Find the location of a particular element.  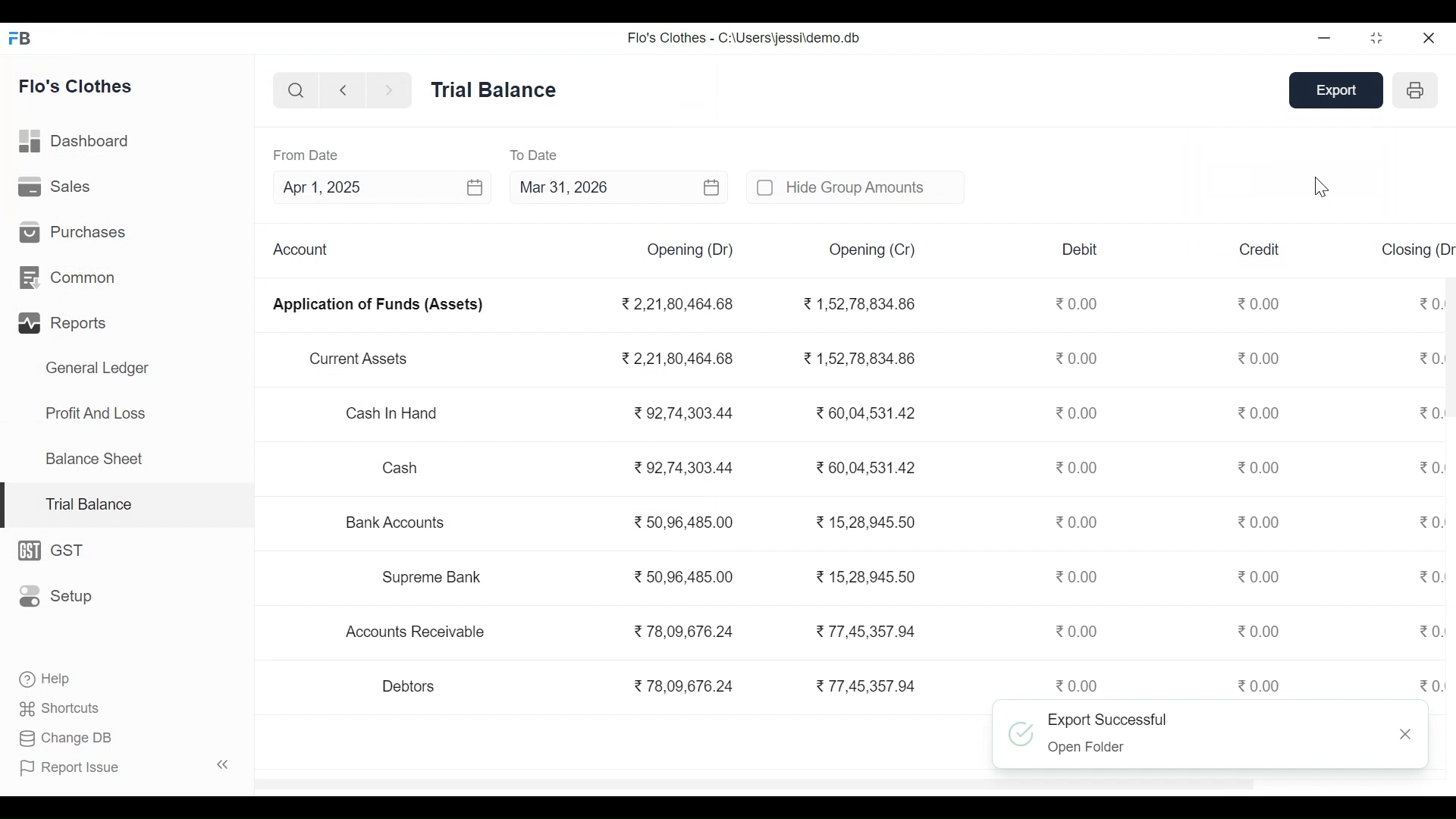

Application of Funds (Assets) is located at coordinates (378, 305).